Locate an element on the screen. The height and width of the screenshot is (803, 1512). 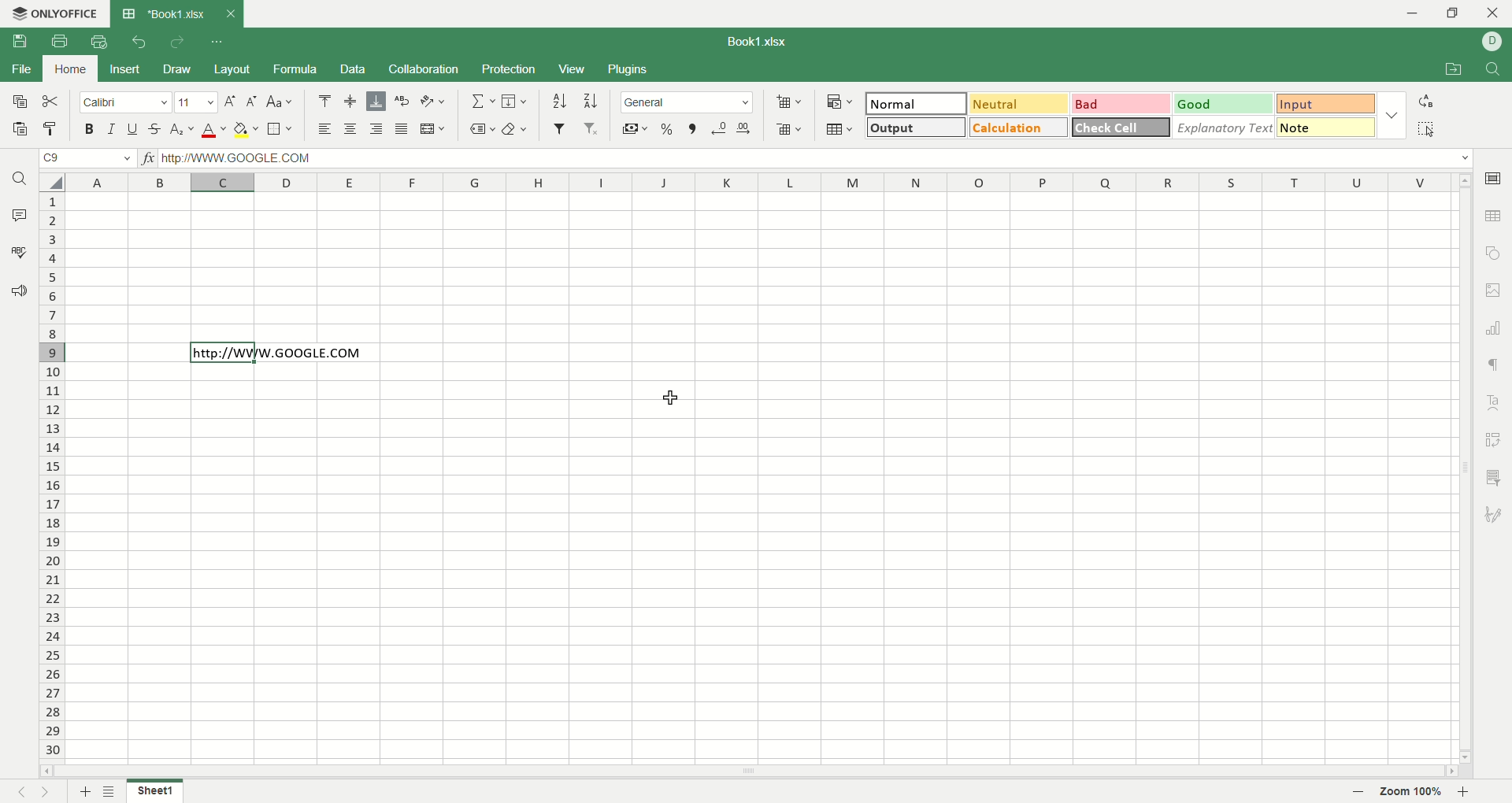
insert is located at coordinates (124, 70).